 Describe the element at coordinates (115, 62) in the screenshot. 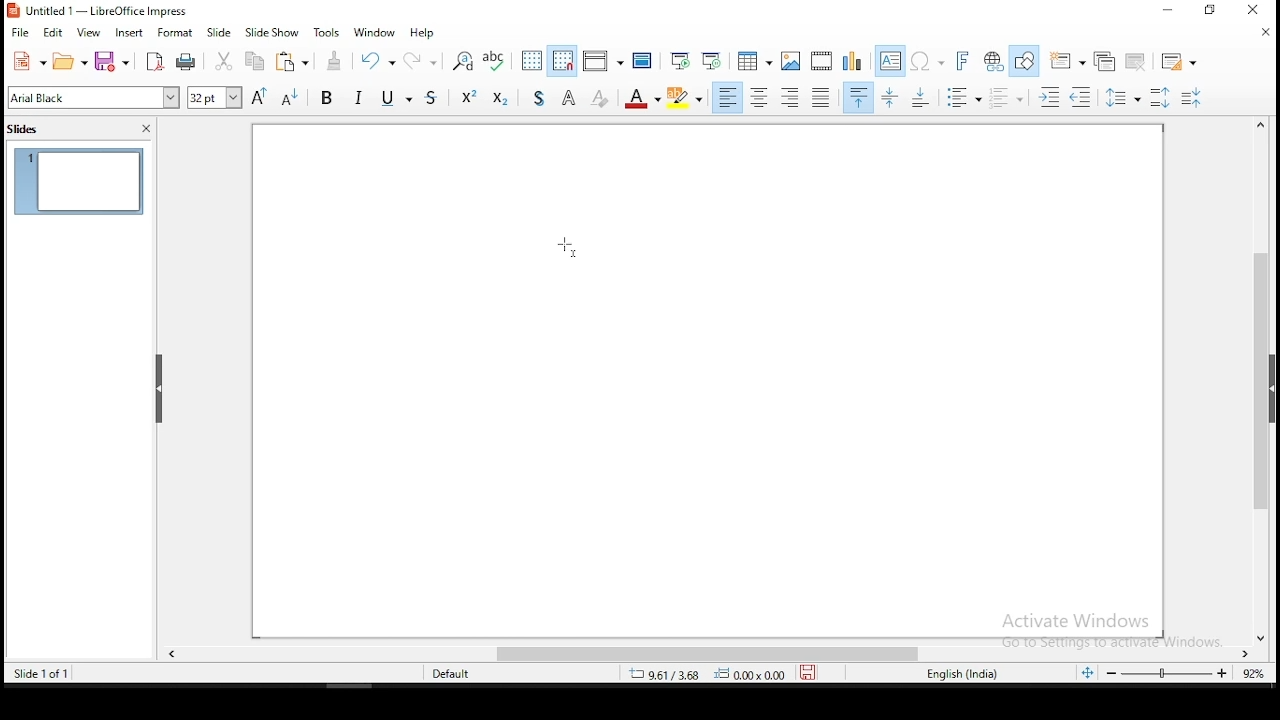

I see `save` at that location.